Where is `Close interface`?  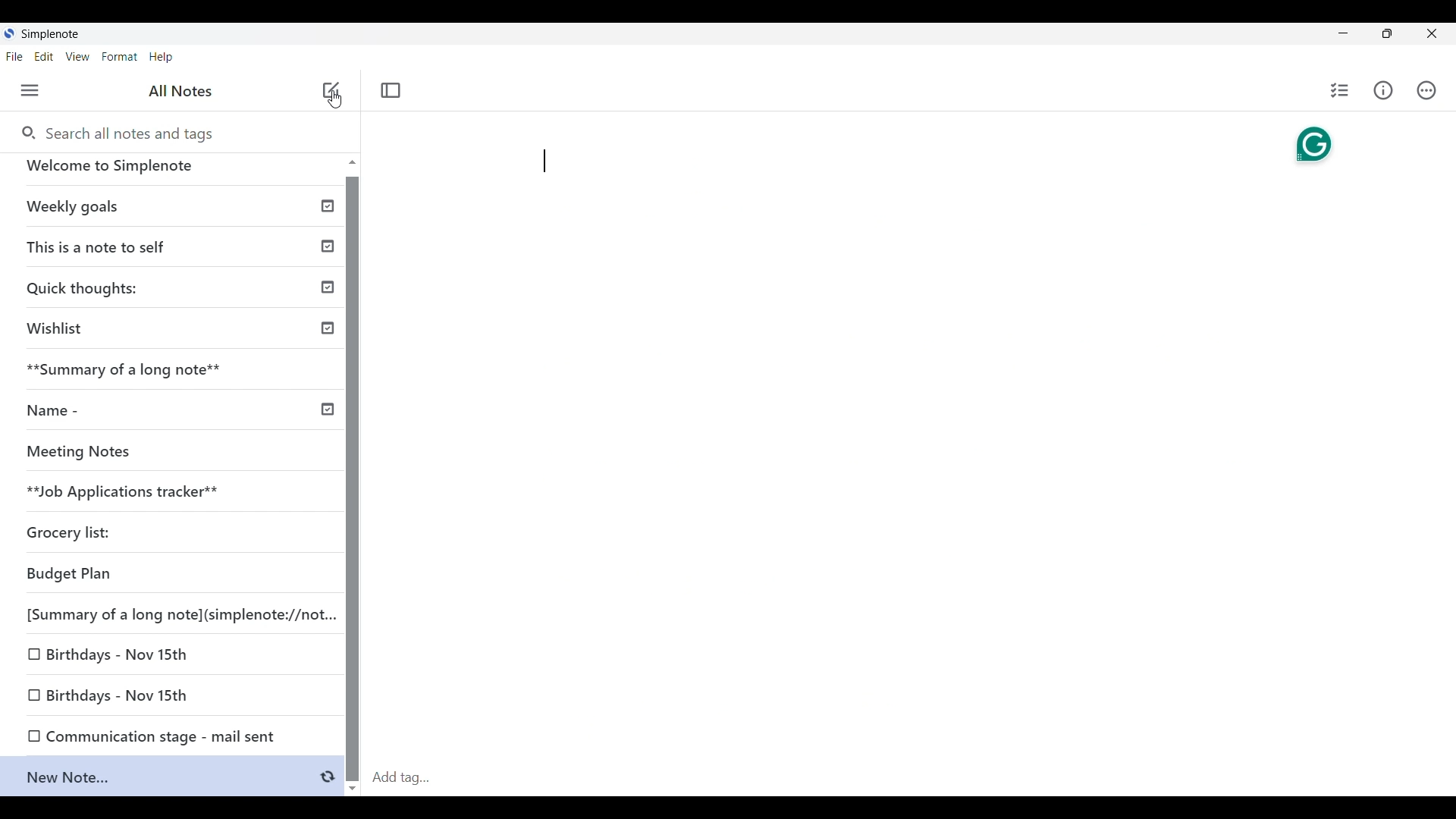
Close interface is located at coordinates (1432, 33).